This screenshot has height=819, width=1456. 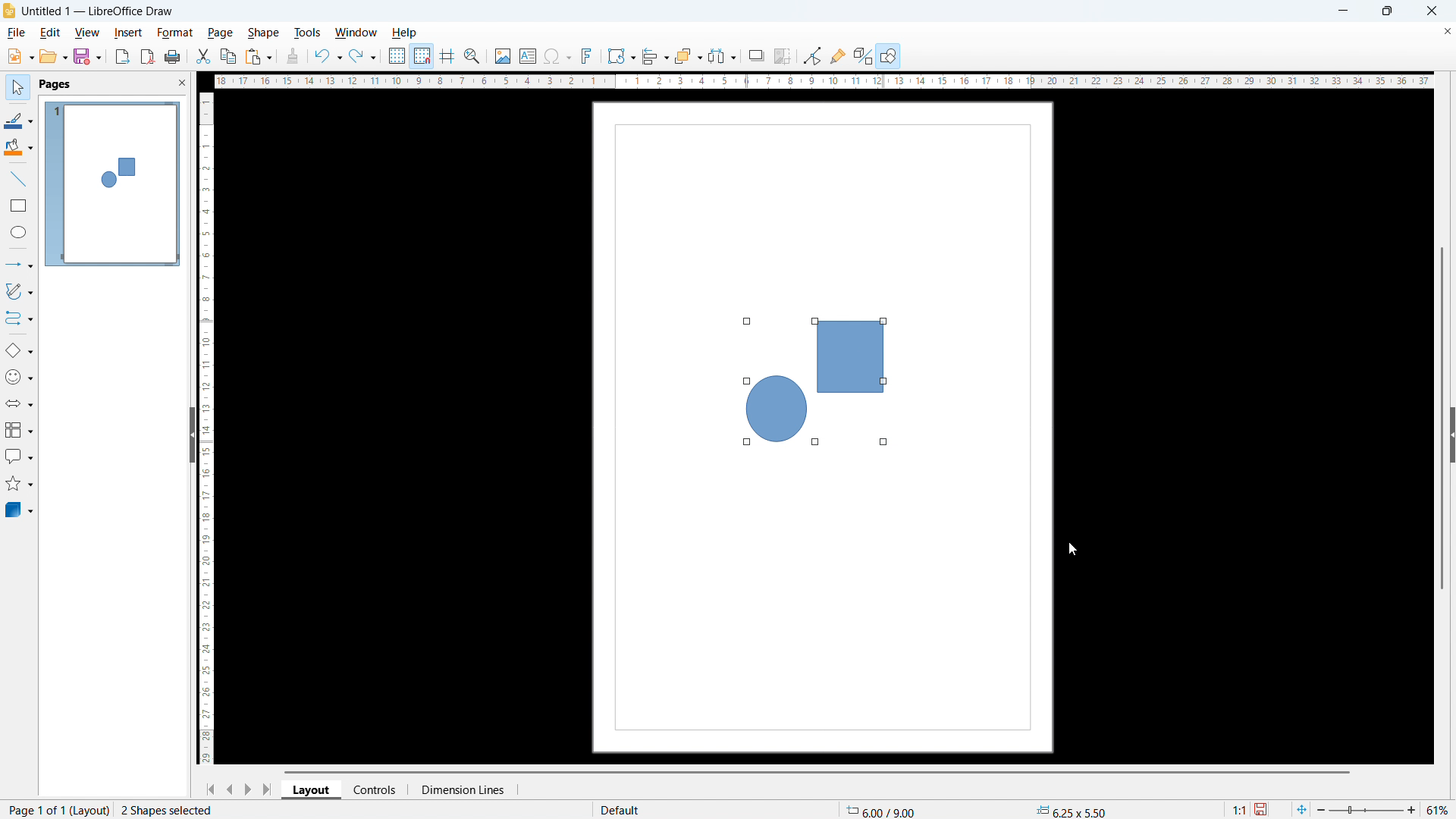 What do you see at coordinates (312, 790) in the screenshot?
I see `layout` at bounding box center [312, 790].